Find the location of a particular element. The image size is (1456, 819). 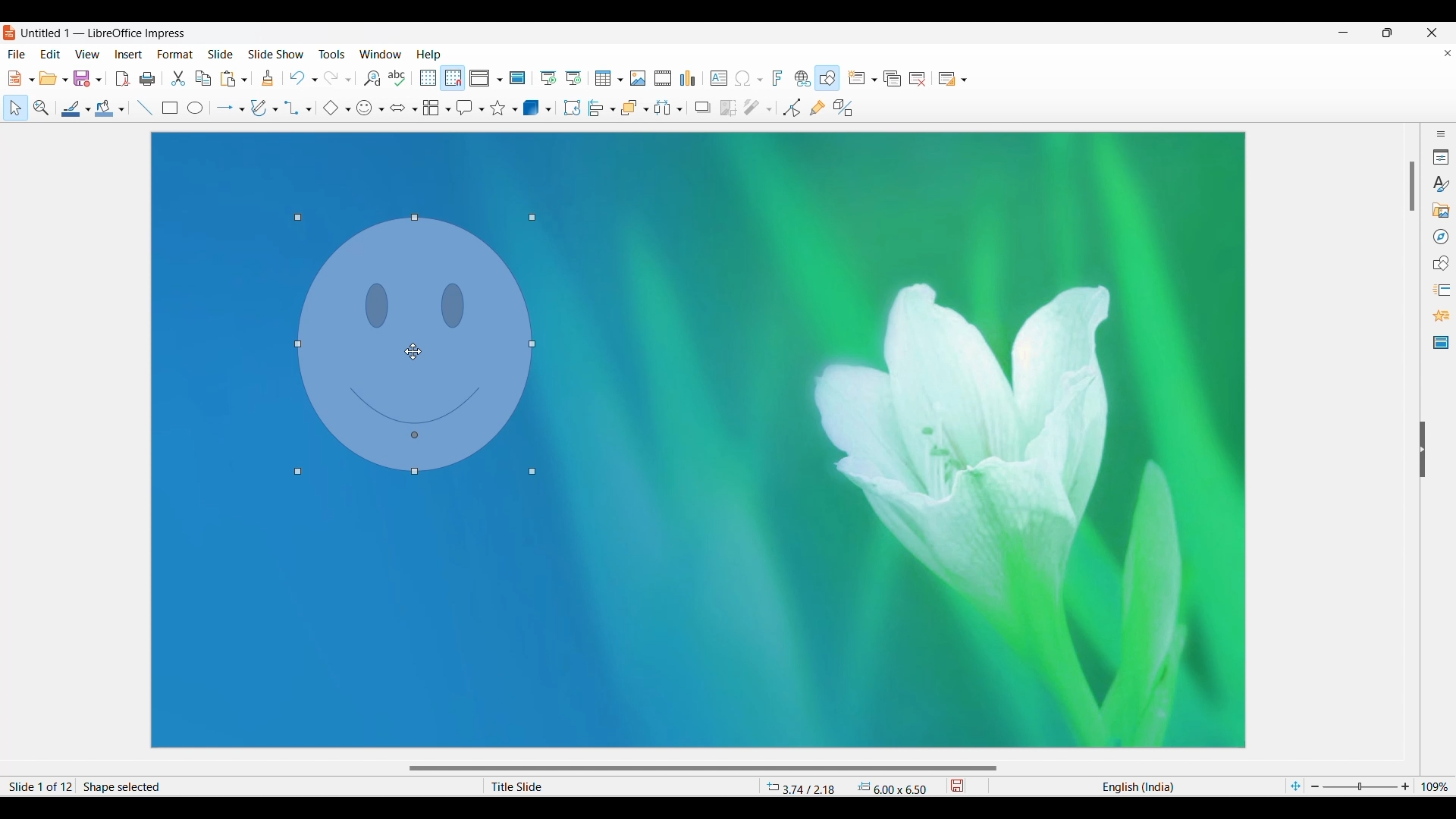

Animation is located at coordinates (1442, 315).